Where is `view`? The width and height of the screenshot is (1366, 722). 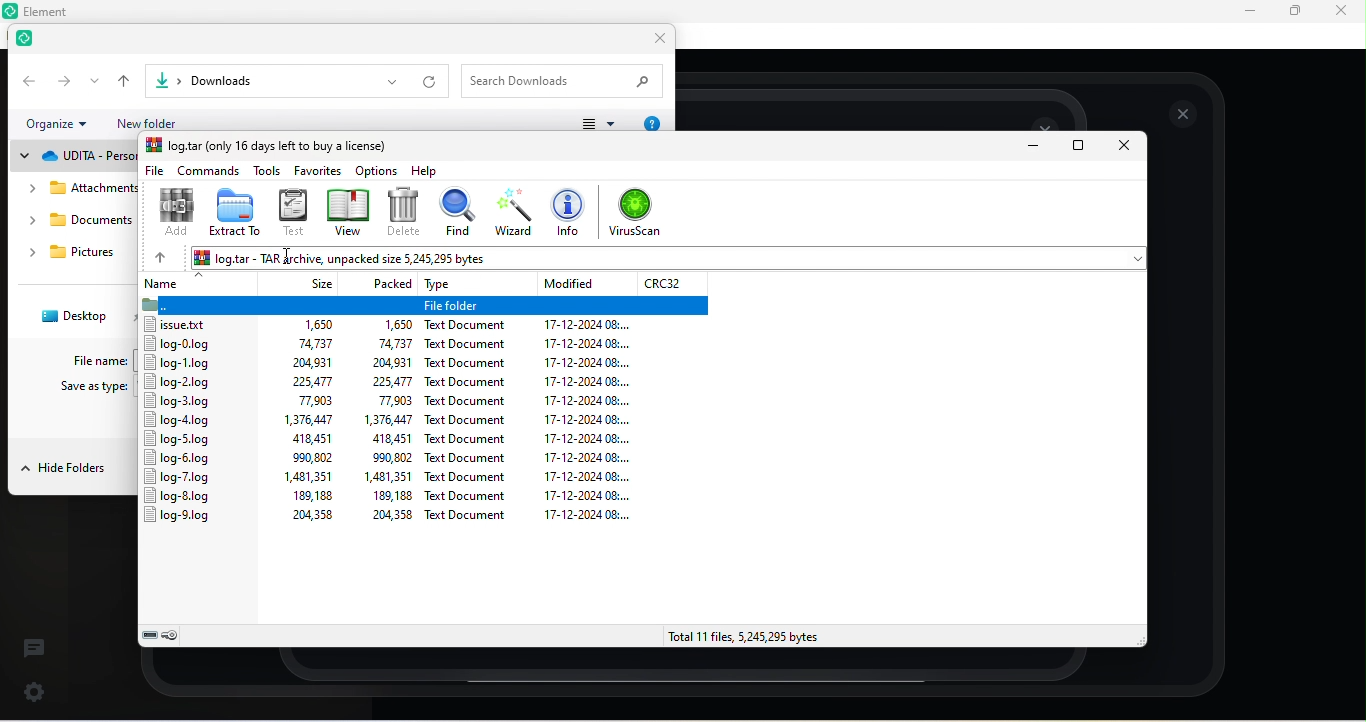 view is located at coordinates (344, 212).